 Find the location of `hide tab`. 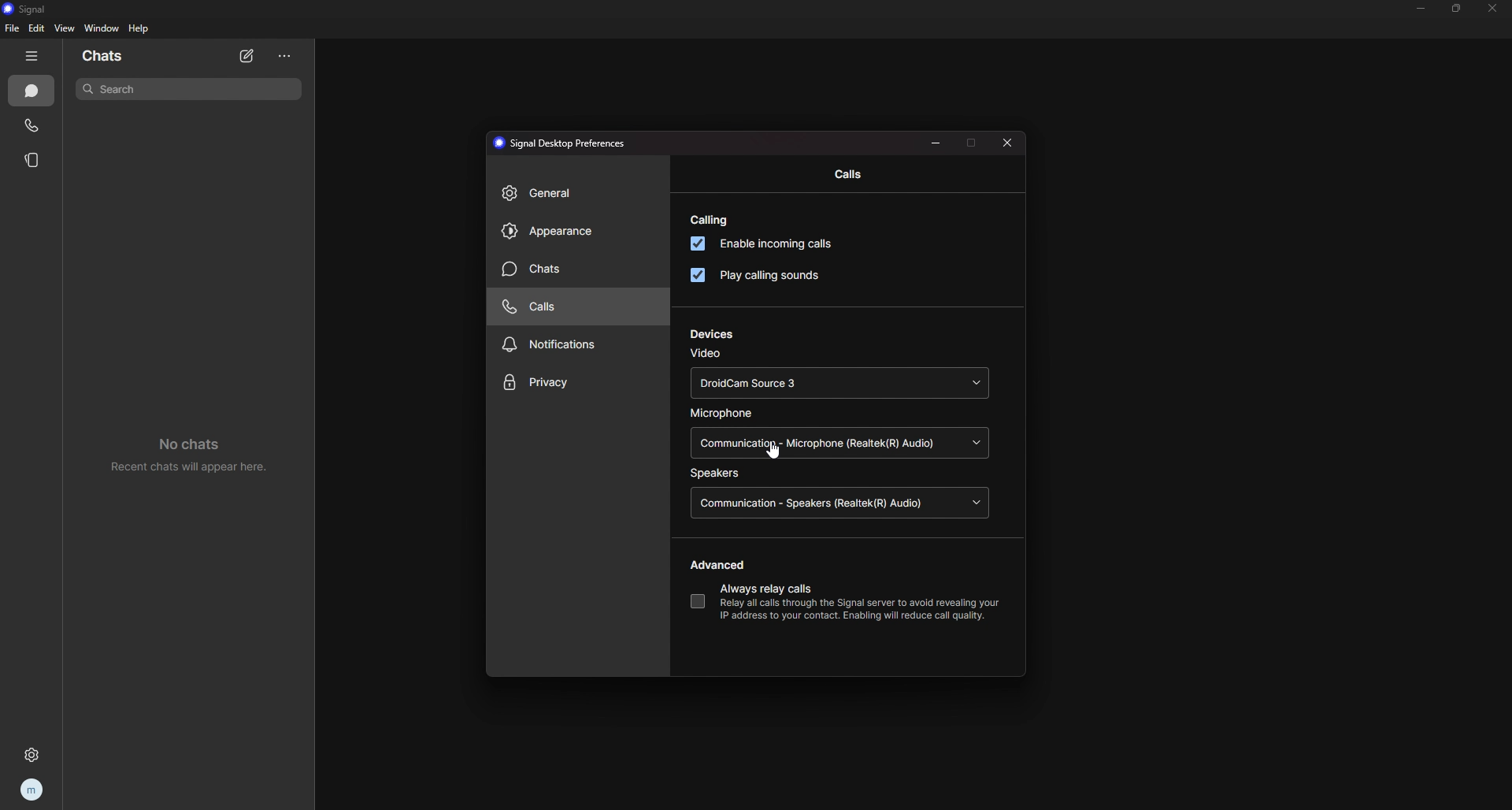

hide tab is located at coordinates (32, 56).